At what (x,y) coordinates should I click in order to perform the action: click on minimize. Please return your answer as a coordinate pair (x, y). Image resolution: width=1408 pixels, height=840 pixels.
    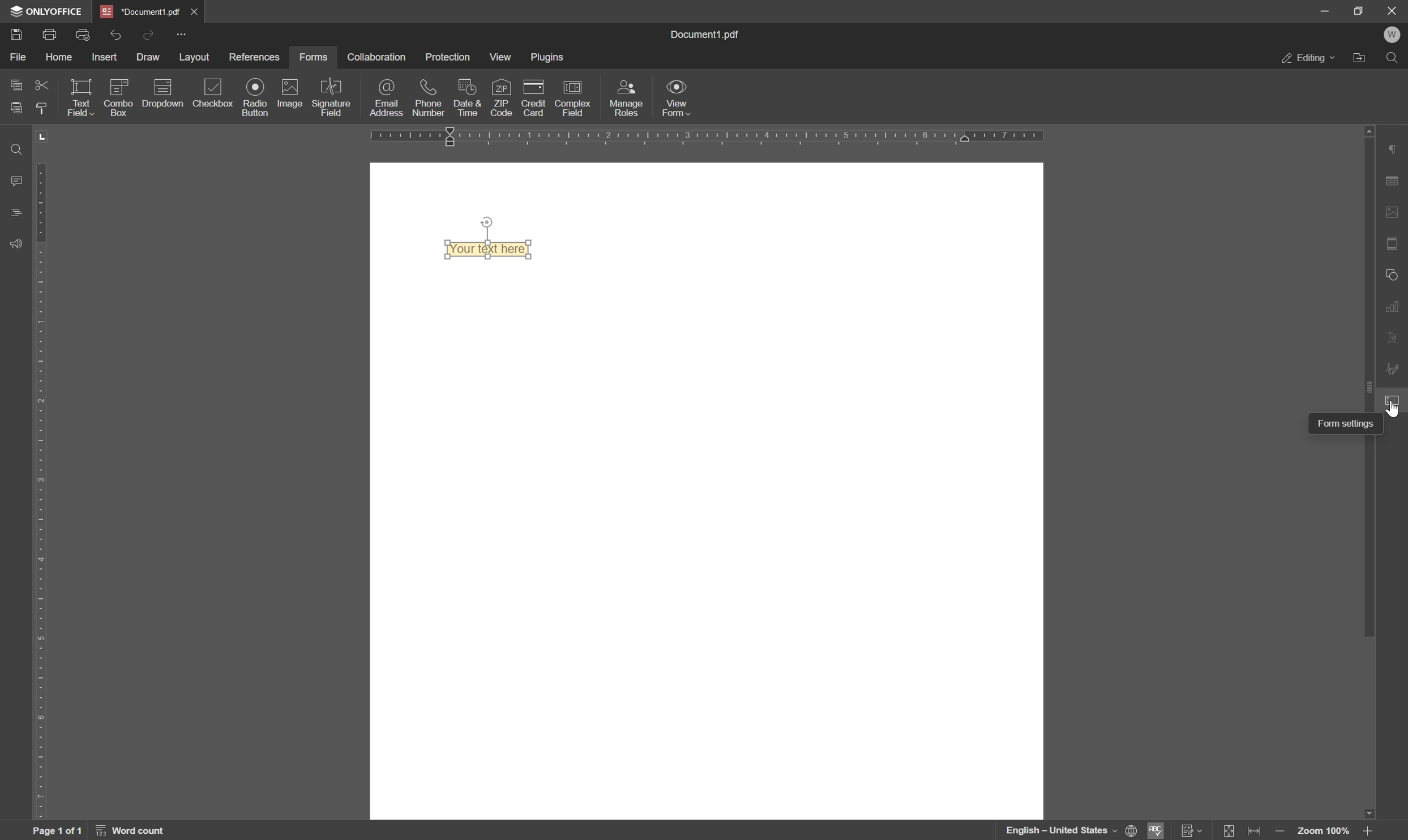
    Looking at the image, I should click on (1325, 11).